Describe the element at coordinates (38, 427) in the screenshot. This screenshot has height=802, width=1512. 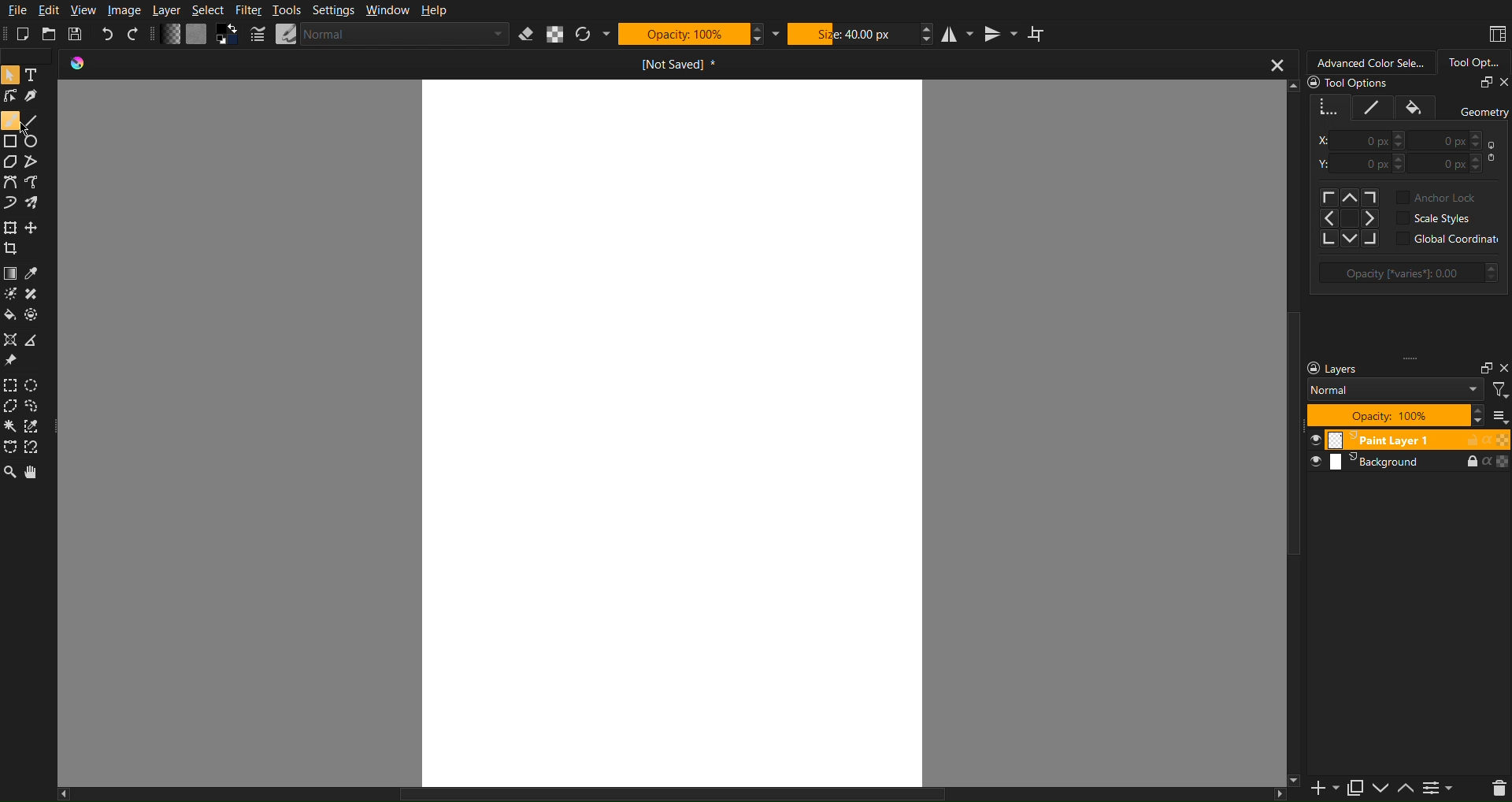
I see `Picker Marquee` at that location.